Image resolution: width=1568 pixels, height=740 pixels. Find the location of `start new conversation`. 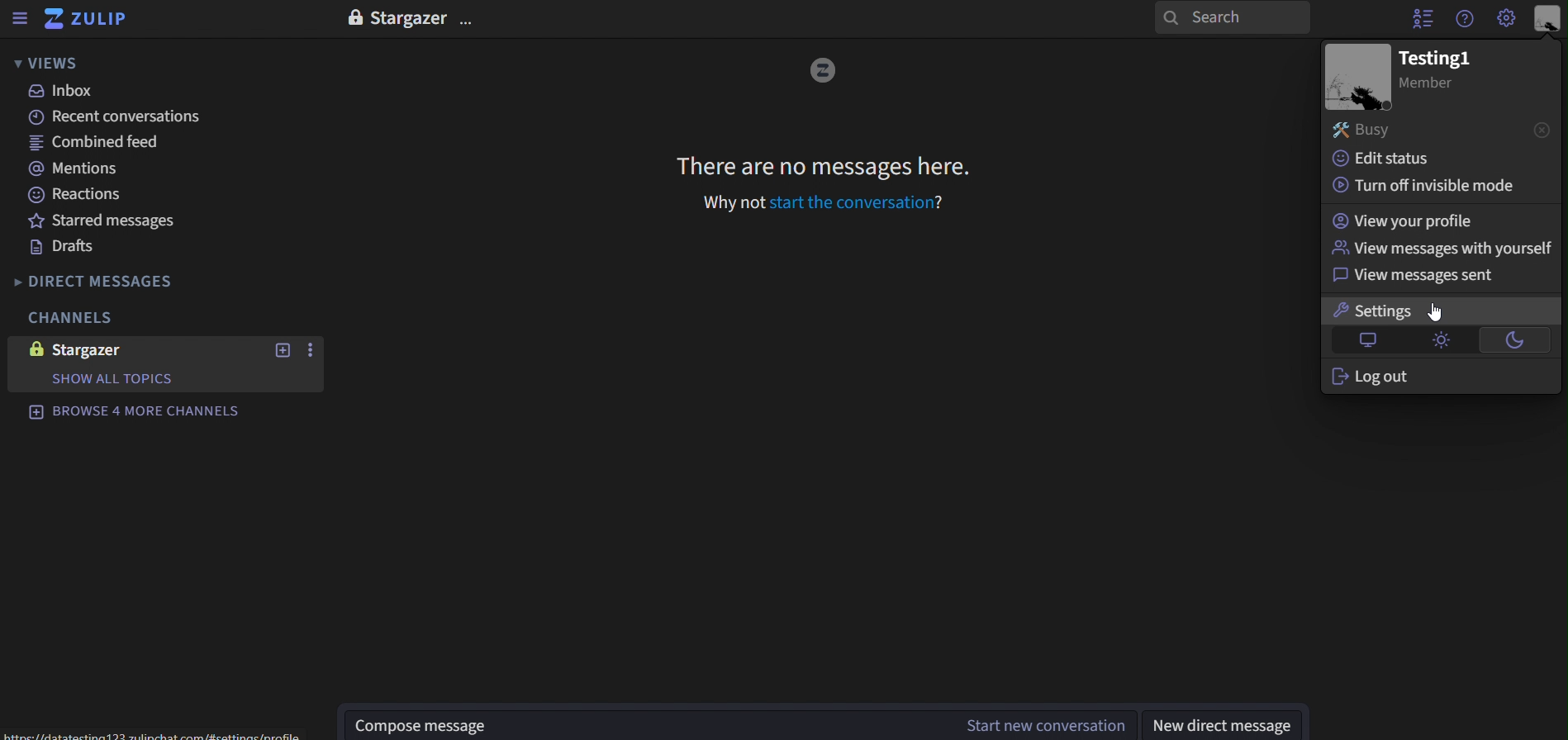

start new conversation is located at coordinates (651, 723).